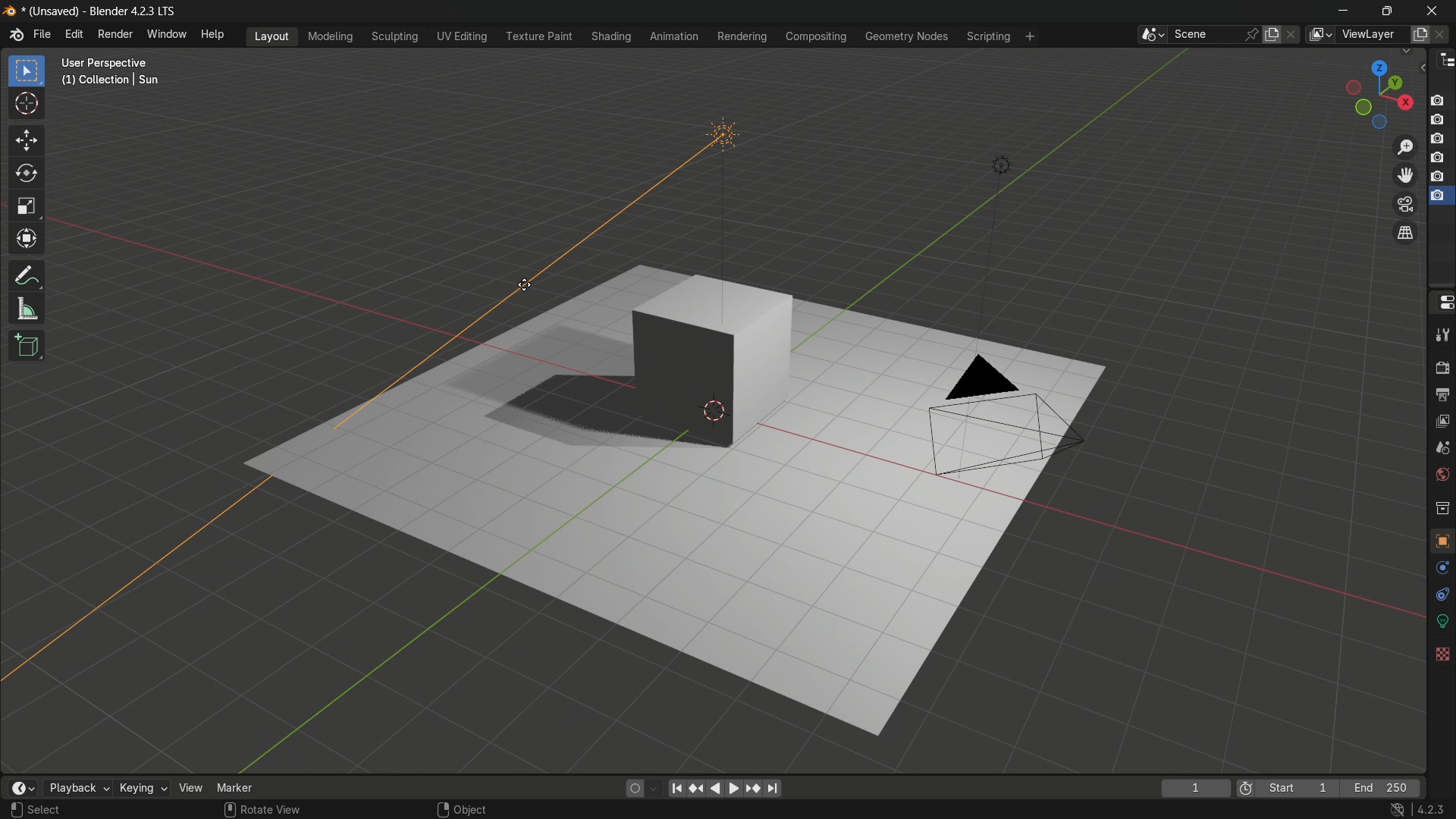 The height and width of the screenshot is (819, 1456). What do you see at coordinates (999, 164) in the screenshot?
I see `light` at bounding box center [999, 164].